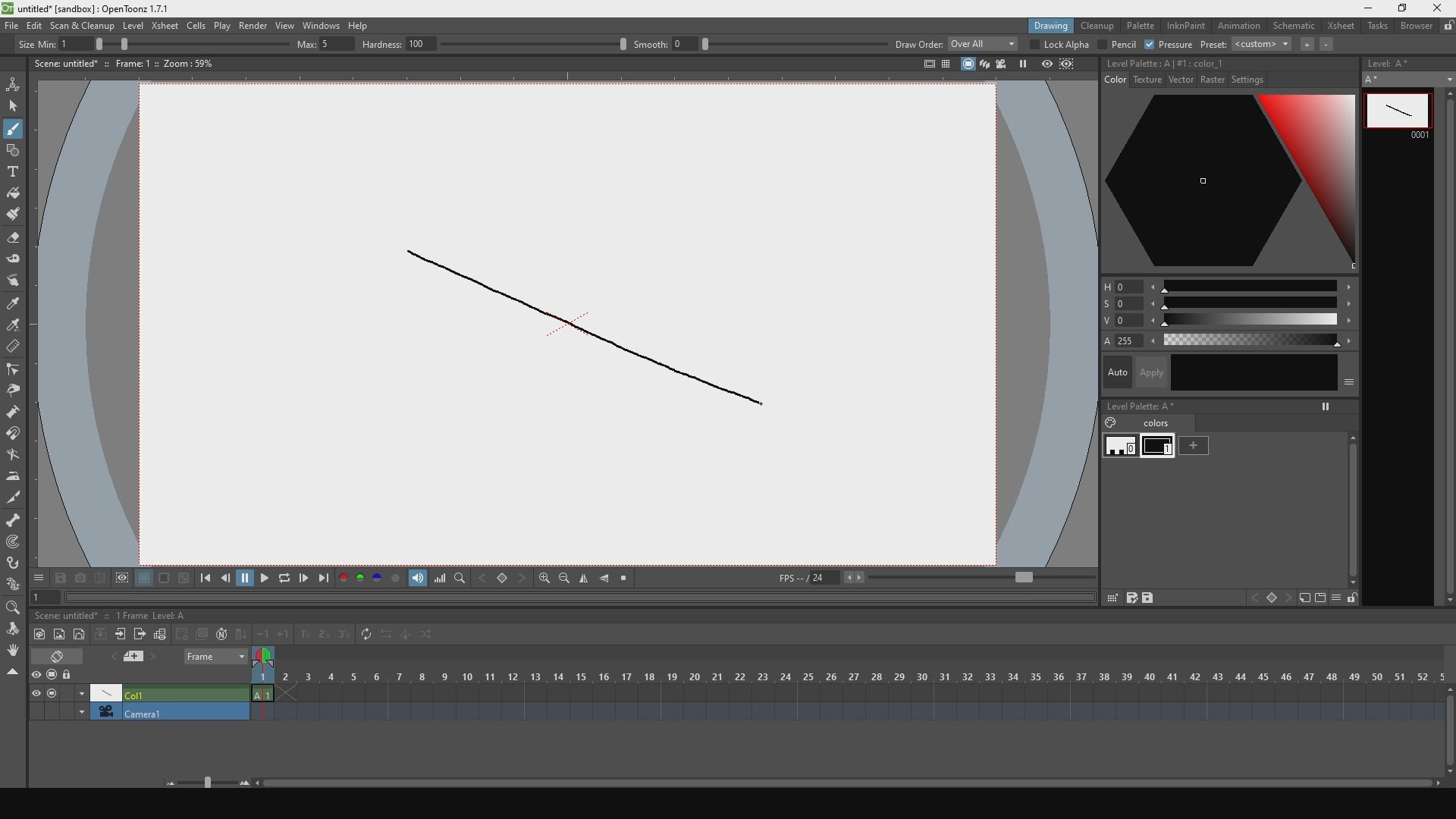 Image resolution: width=1456 pixels, height=819 pixels. I want to click on cells, so click(196, 26).